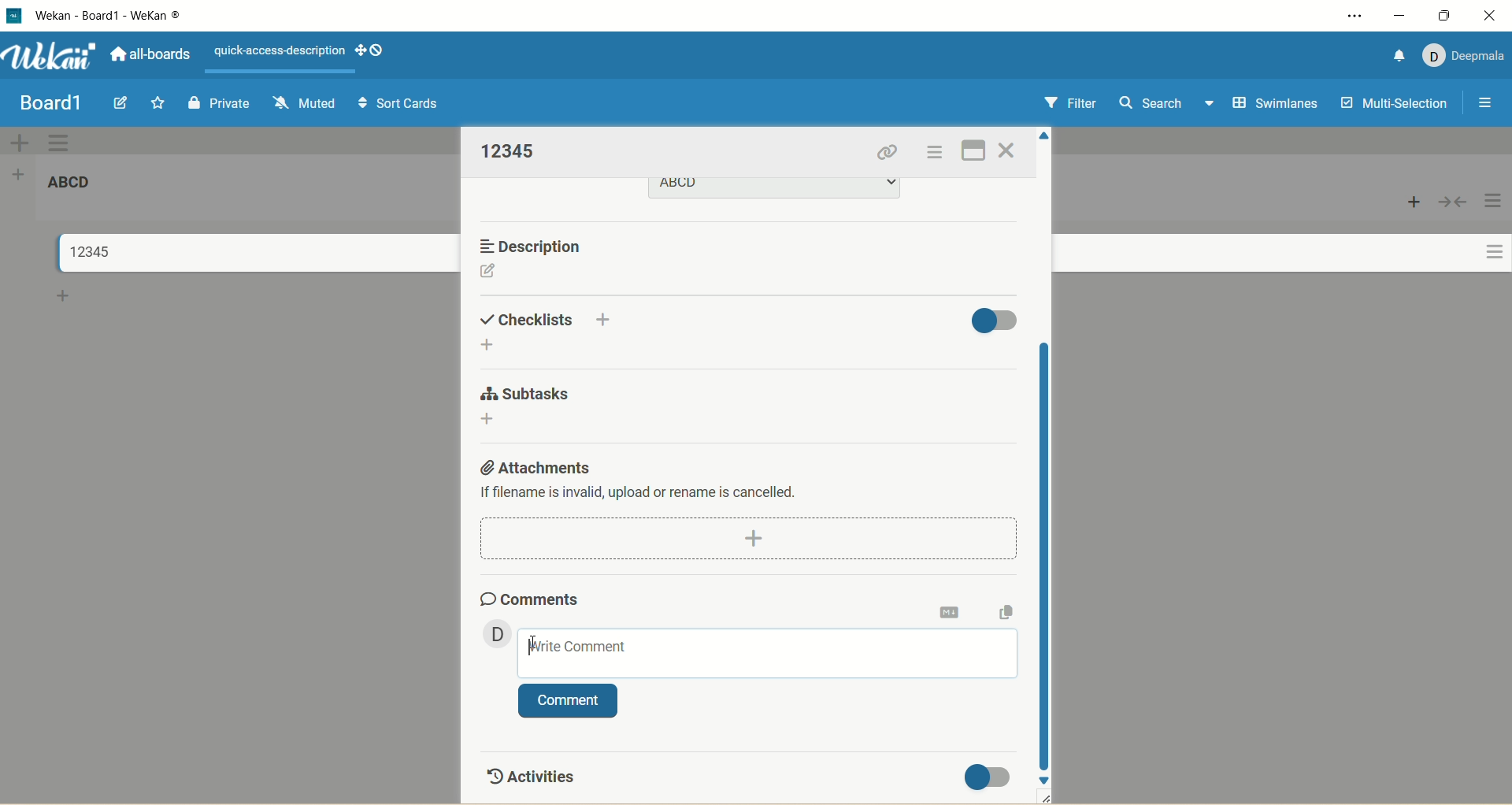 The image size is (1512, 805). I want to click on notification, so click(1393, 54).